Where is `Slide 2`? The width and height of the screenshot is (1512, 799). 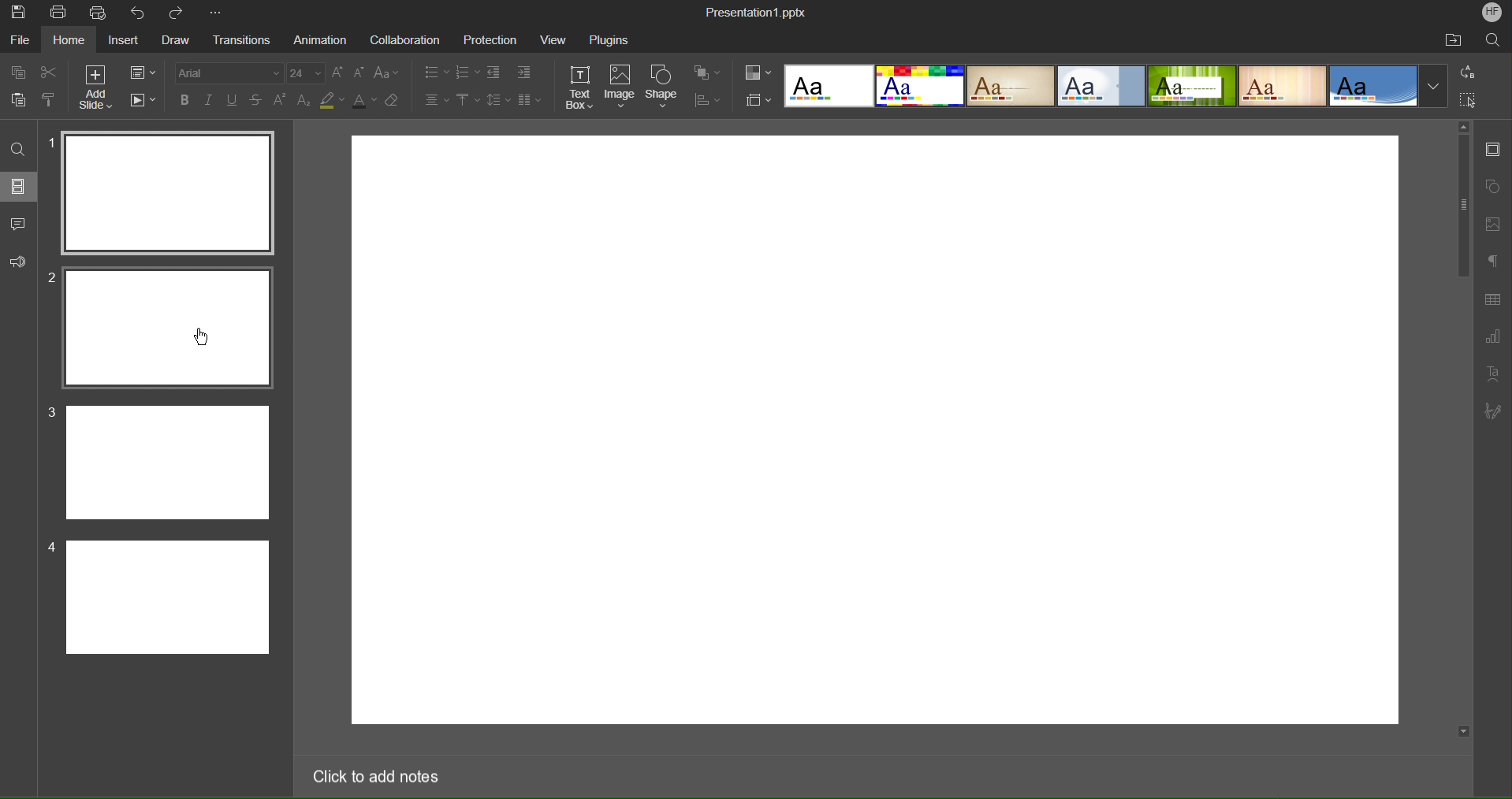
Slide 2 is located at coordinates (161, 329).